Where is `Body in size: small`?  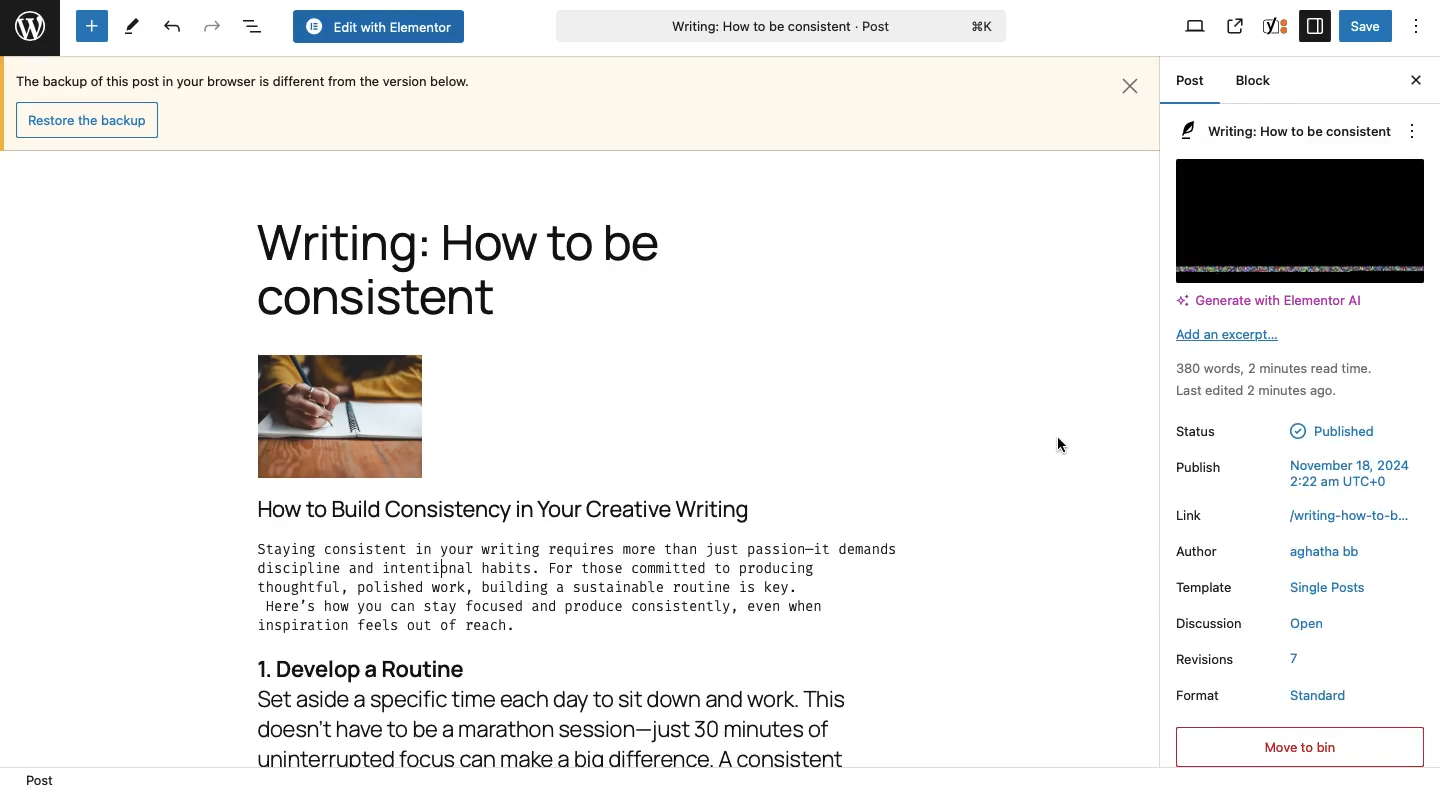 Body in size: small is located at coordinates (598, 592).